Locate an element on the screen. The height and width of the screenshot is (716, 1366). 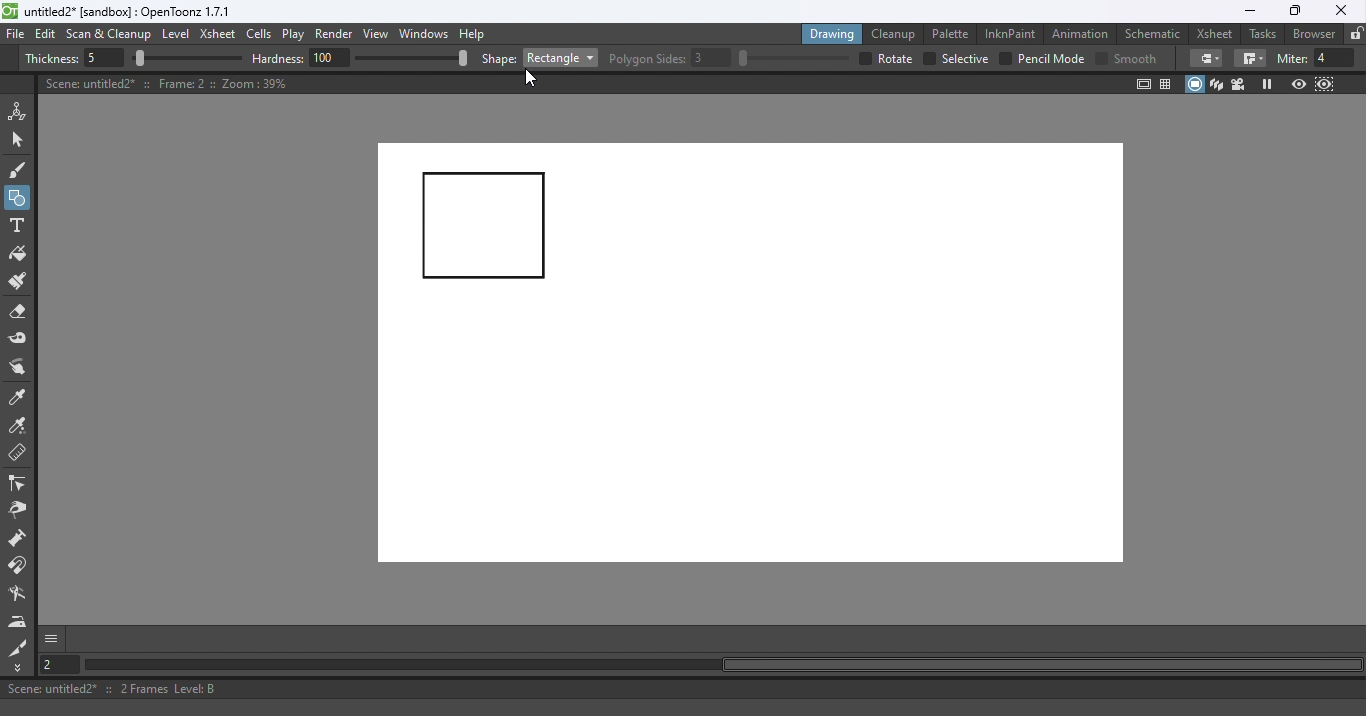
File is located at coordinates (16, 35).